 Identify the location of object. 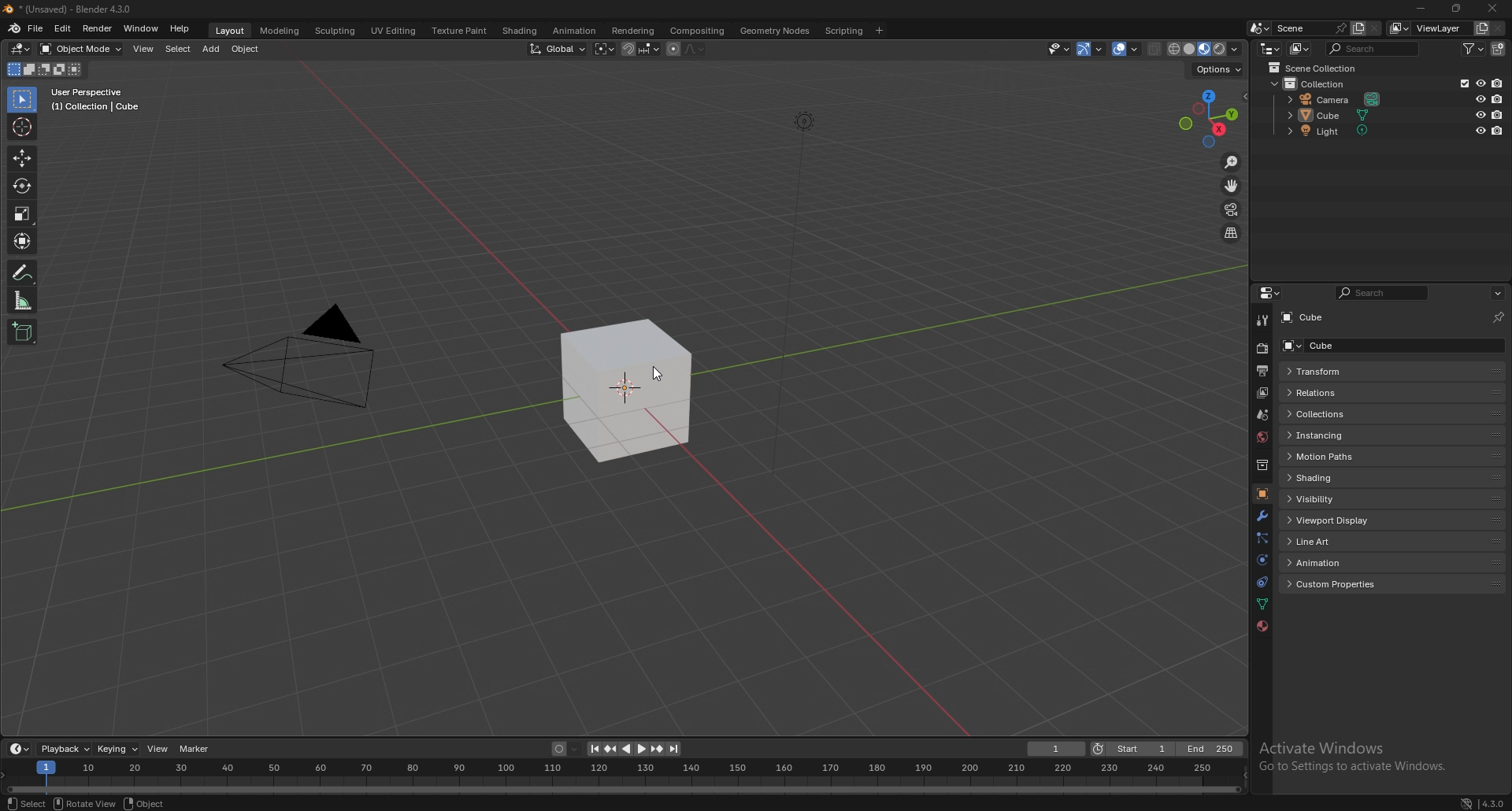
(246, 49).